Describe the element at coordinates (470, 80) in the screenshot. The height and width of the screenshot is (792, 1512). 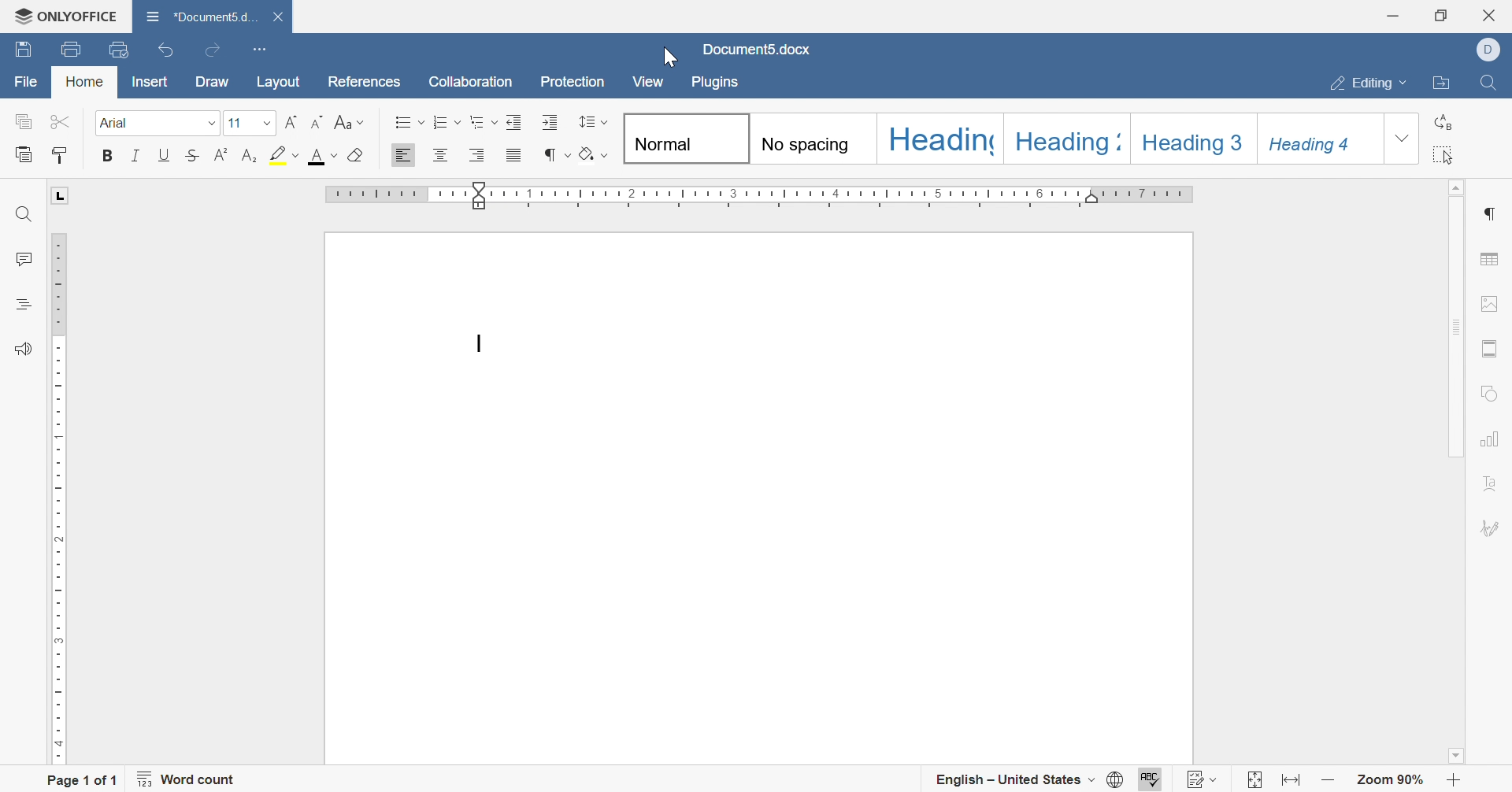
I see `collaboration` at that location.